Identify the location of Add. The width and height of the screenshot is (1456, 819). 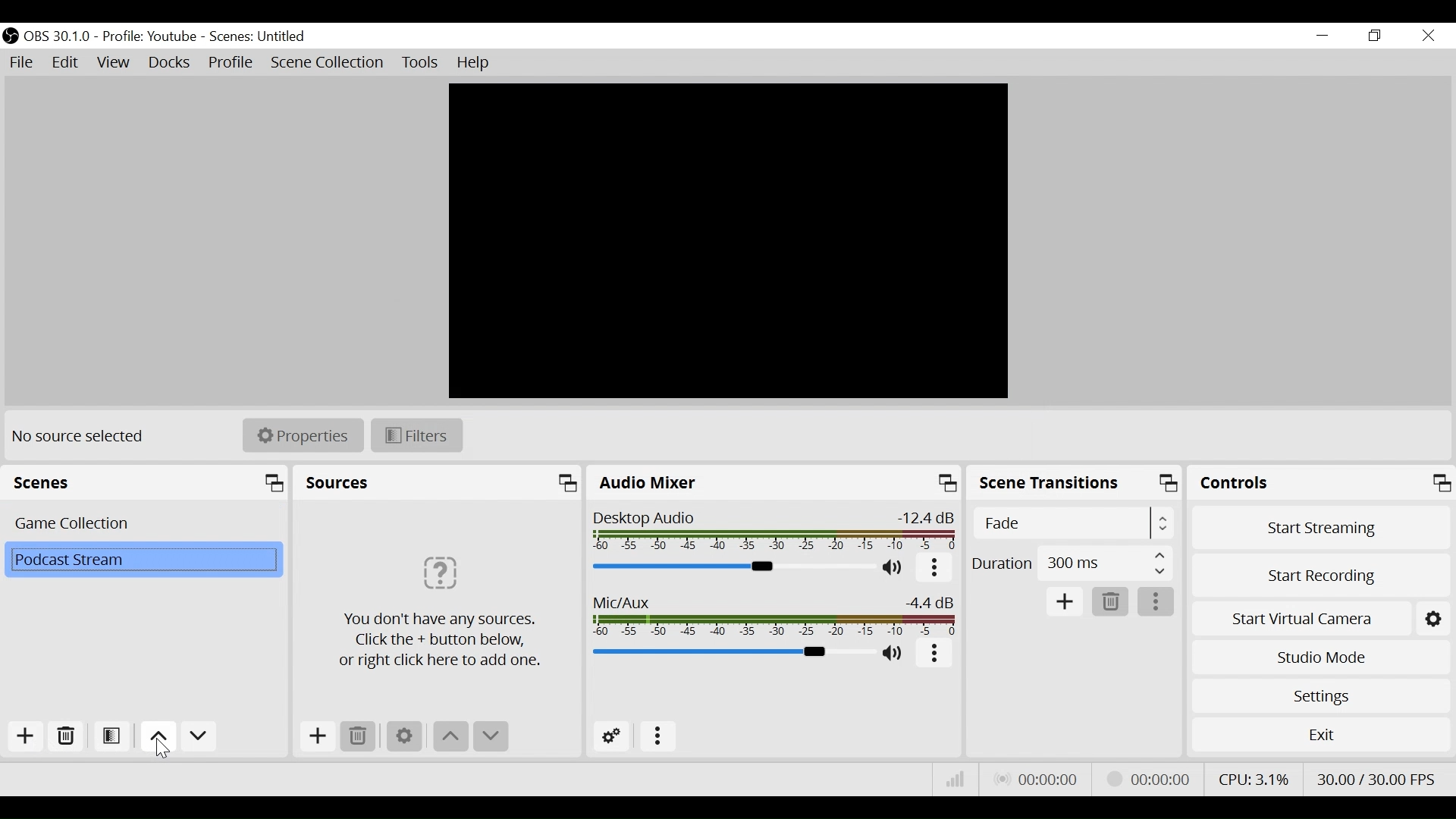
(24, 736).